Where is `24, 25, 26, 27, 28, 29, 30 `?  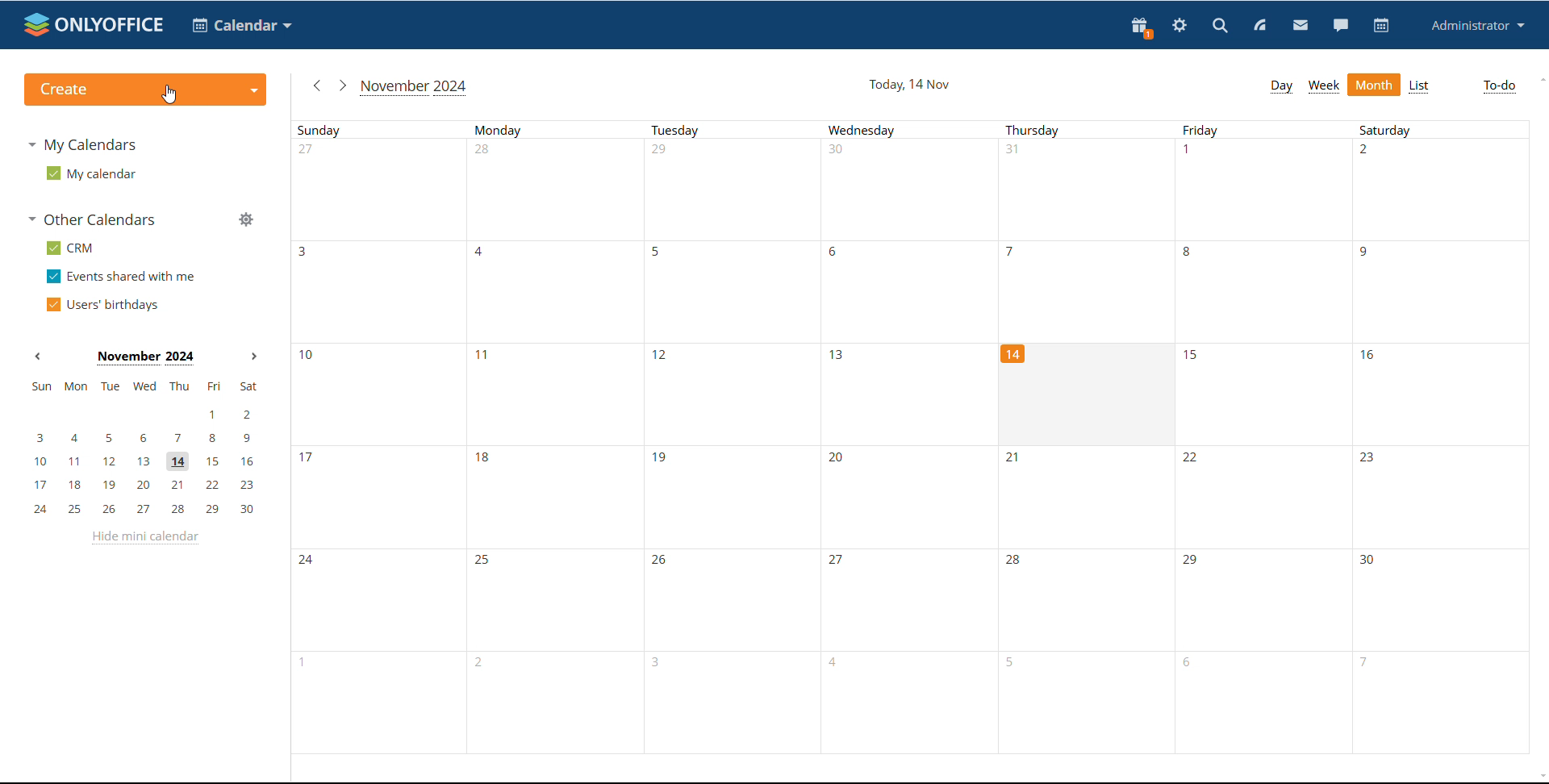
24, 25, 26, 27, 28, 29, 30  is located at coordinates (148, 510).